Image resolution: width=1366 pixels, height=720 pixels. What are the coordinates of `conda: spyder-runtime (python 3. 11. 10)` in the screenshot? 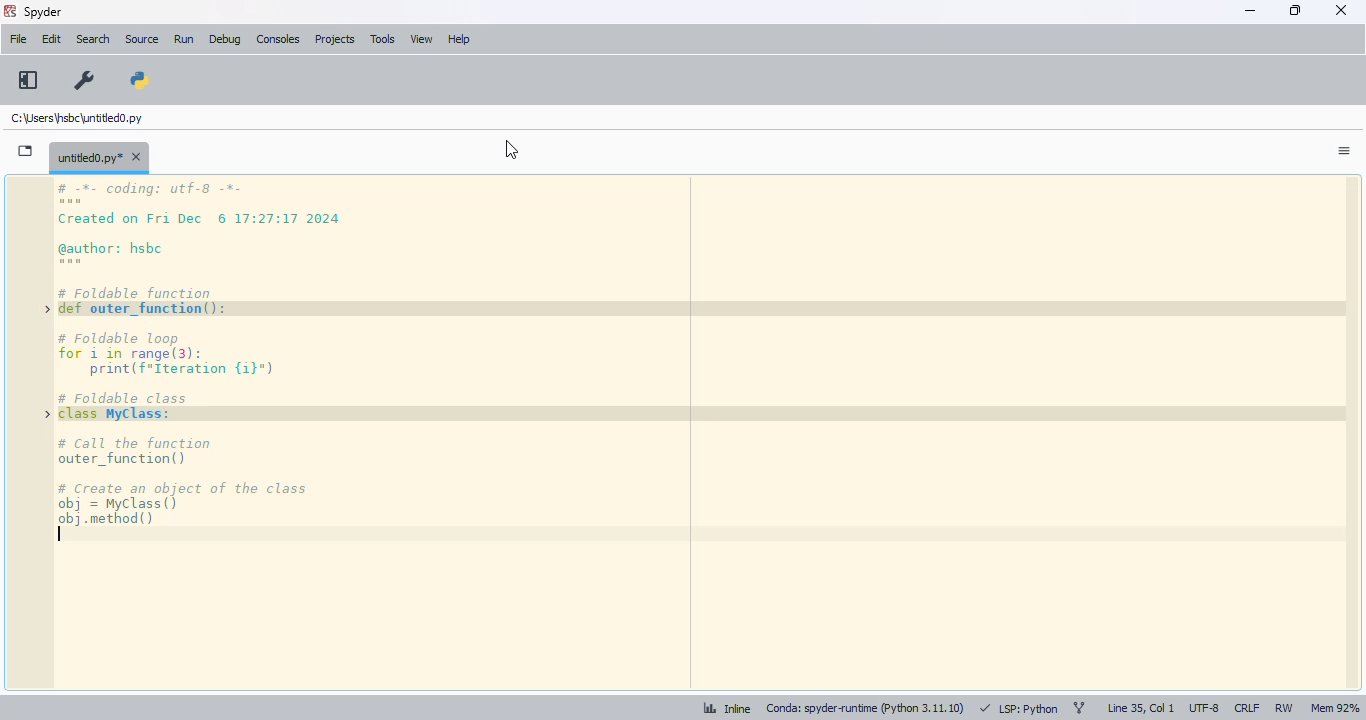 It's located at (863, 710).